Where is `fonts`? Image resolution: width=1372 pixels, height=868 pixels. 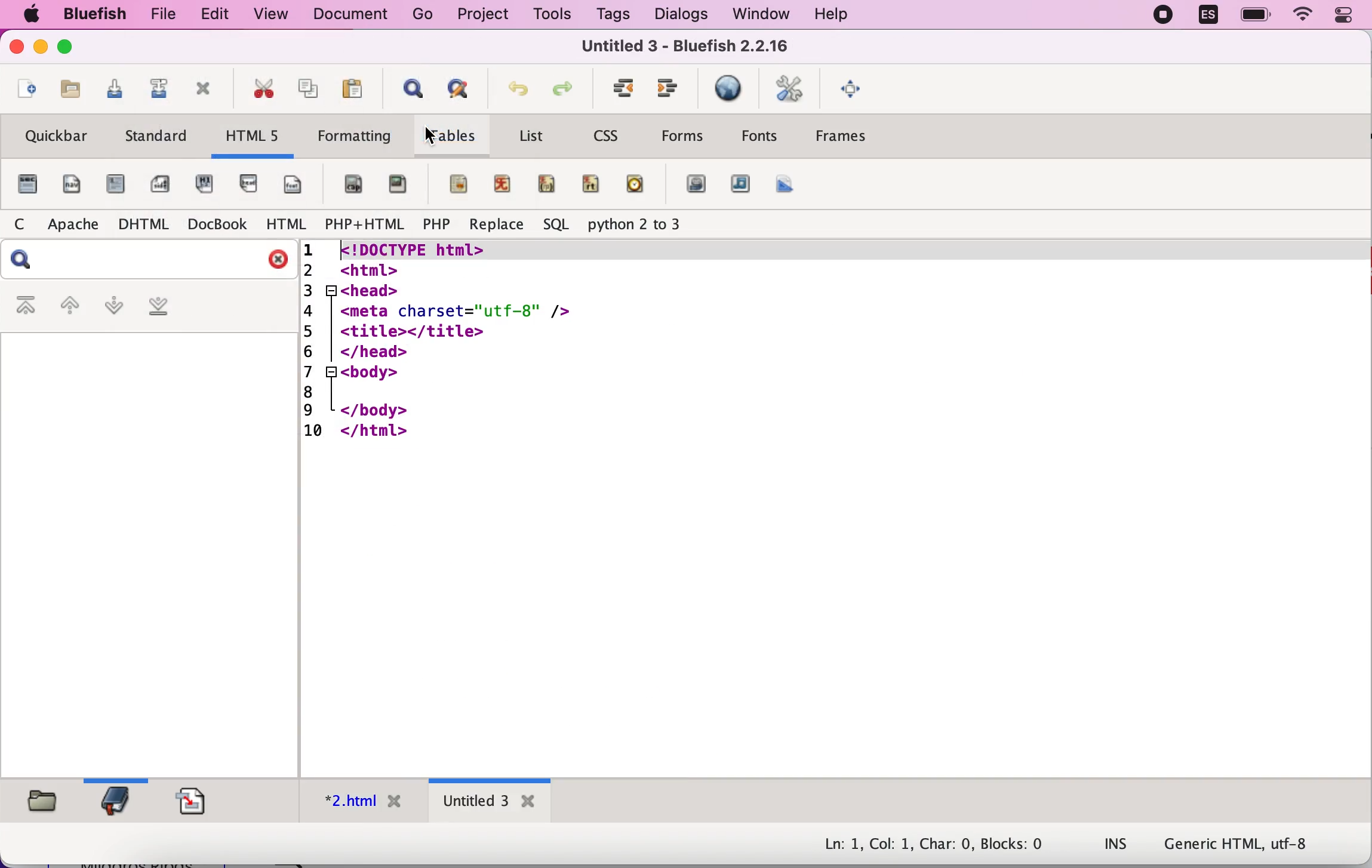 fonts is located at coordinates (758, 135).